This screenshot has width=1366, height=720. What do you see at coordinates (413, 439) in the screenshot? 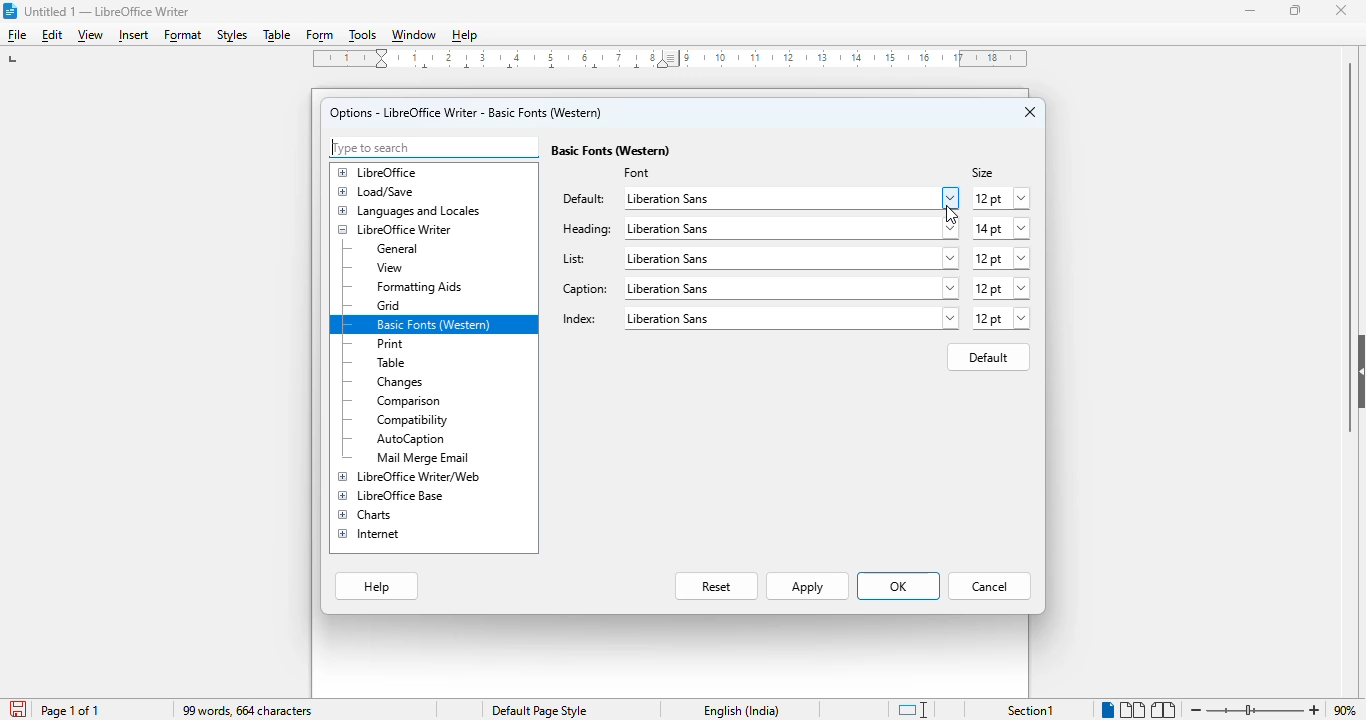
I see `autocaption` at bounding box center [413, 439].